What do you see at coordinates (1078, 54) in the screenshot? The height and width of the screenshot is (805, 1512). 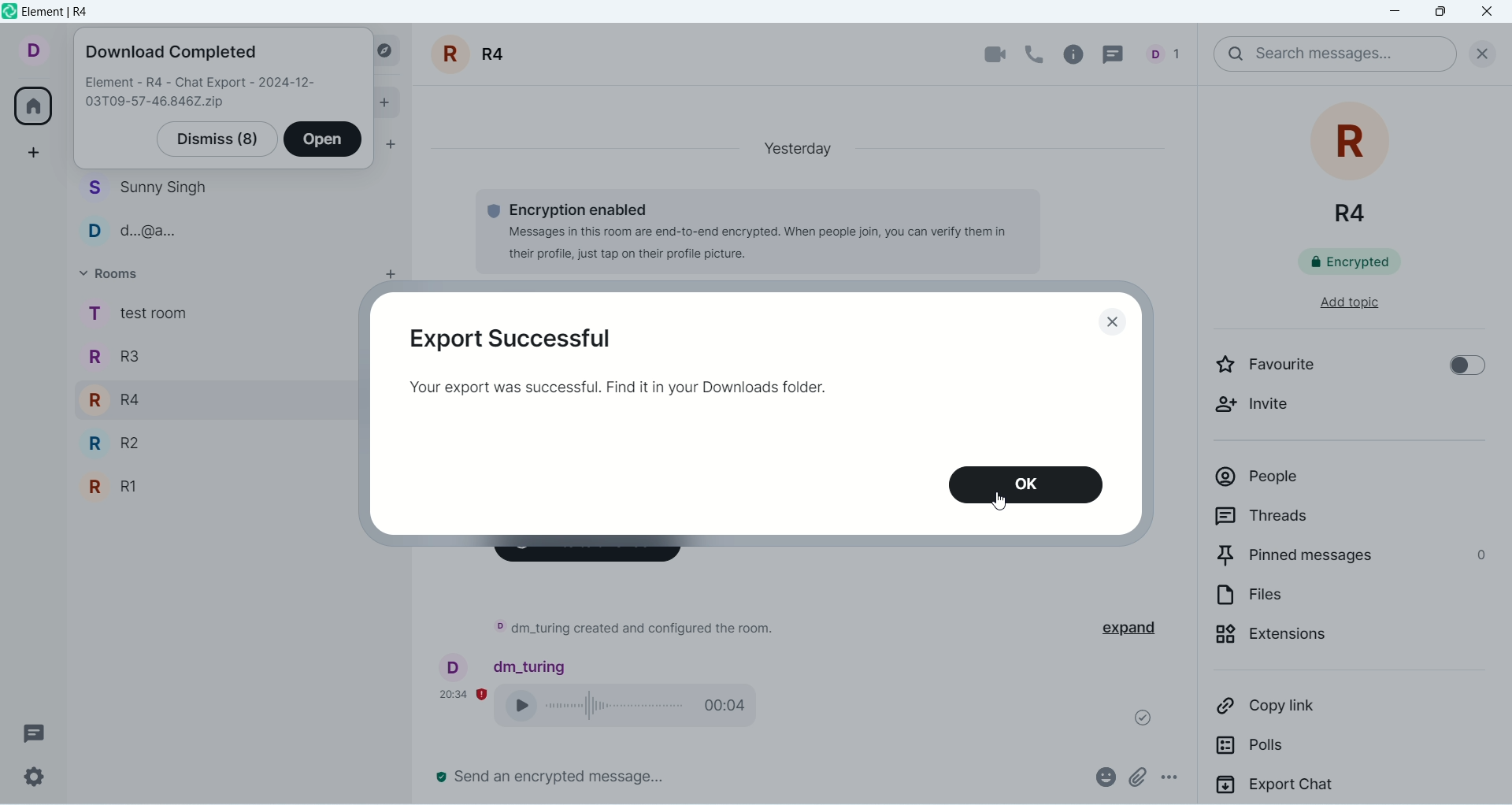 I see `room info` at bounding box center [1078, 54].